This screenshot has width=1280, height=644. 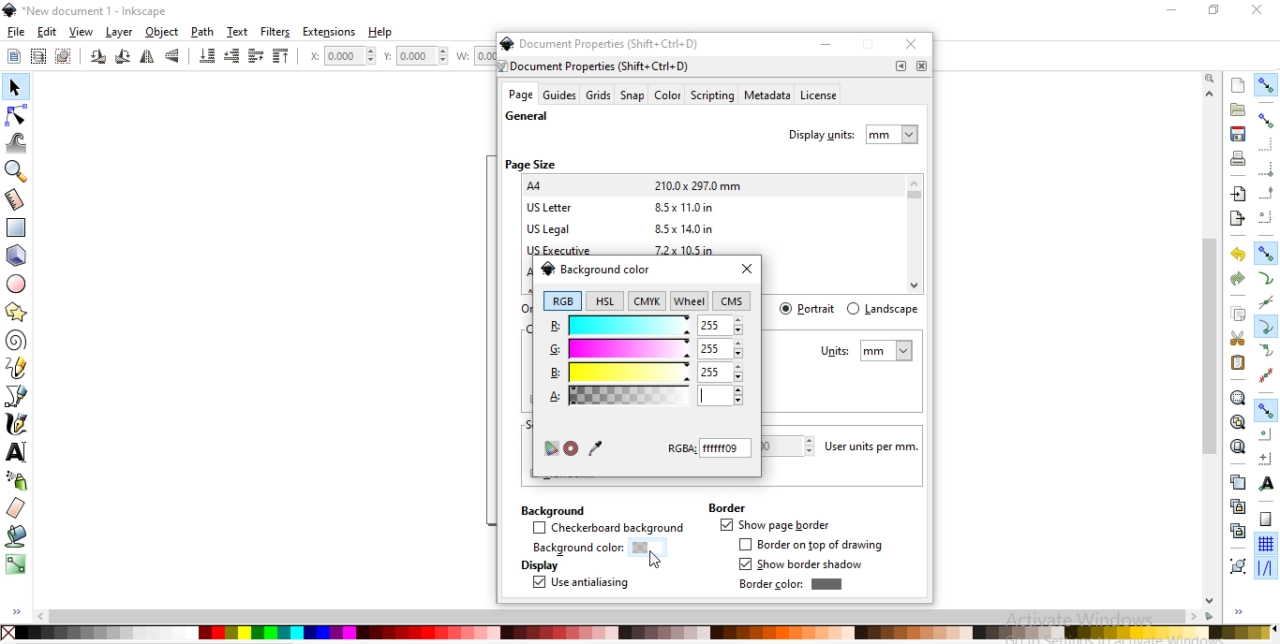 I want to click on myk, so click(x=650, y=300).